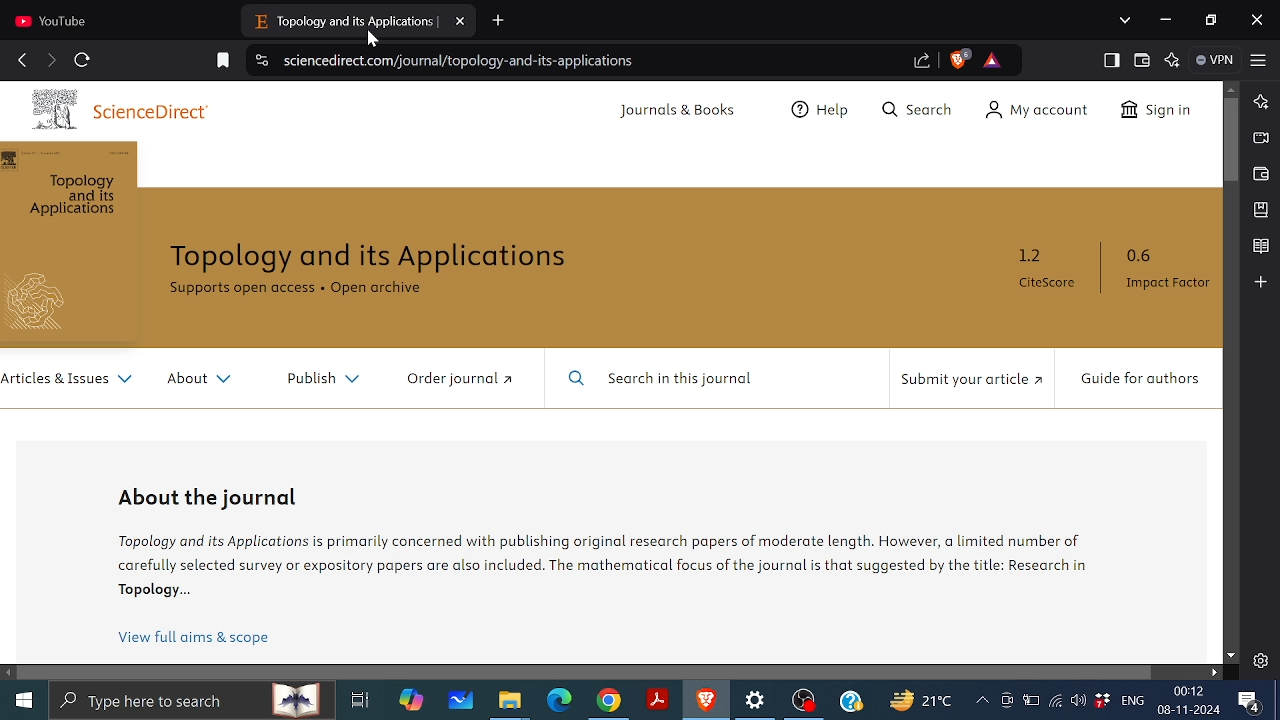  What do you see at coordinates (50, 60) in the screenshot?
I see `move forward` at bounding box center [50, 60].